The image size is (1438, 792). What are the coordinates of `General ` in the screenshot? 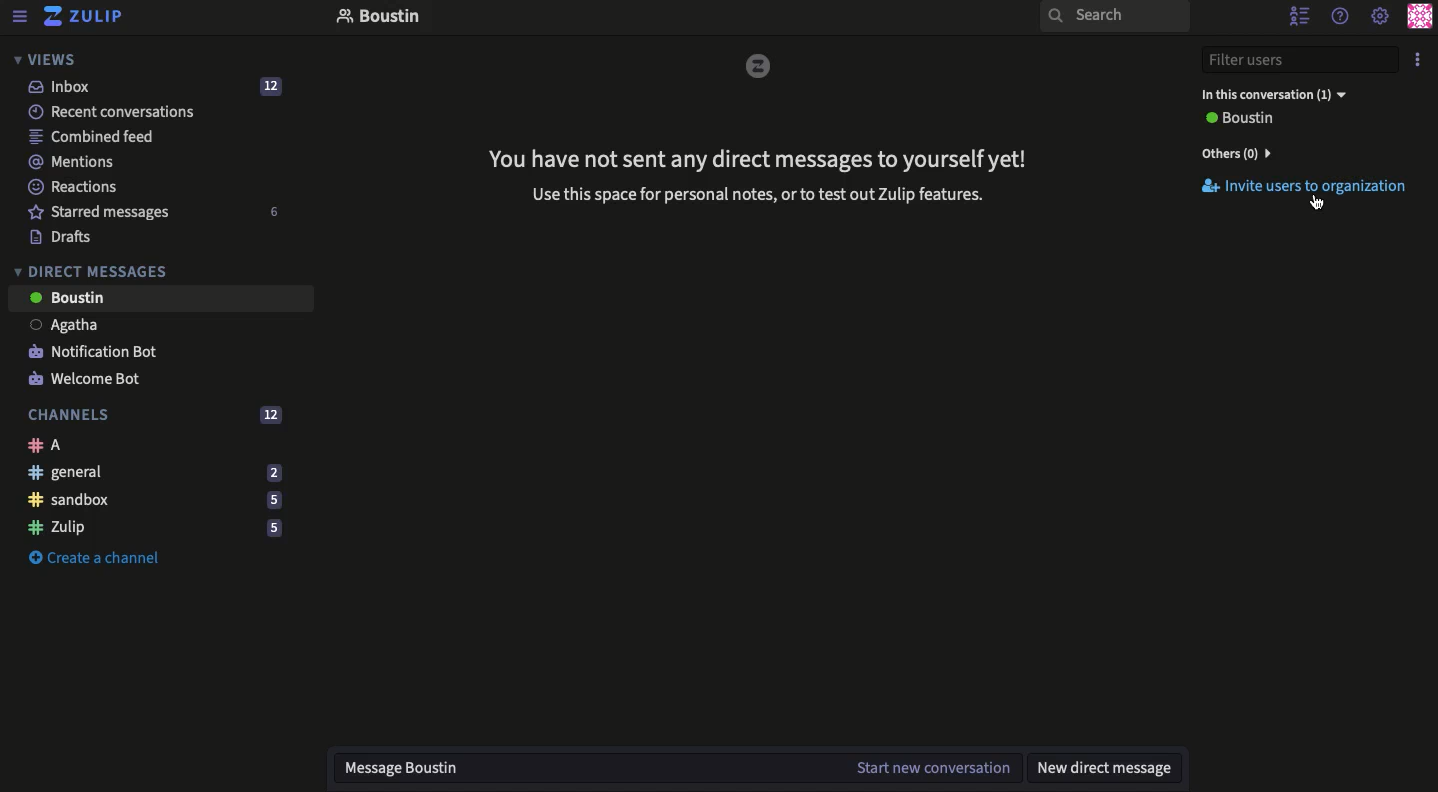 It's located at (149, 471).